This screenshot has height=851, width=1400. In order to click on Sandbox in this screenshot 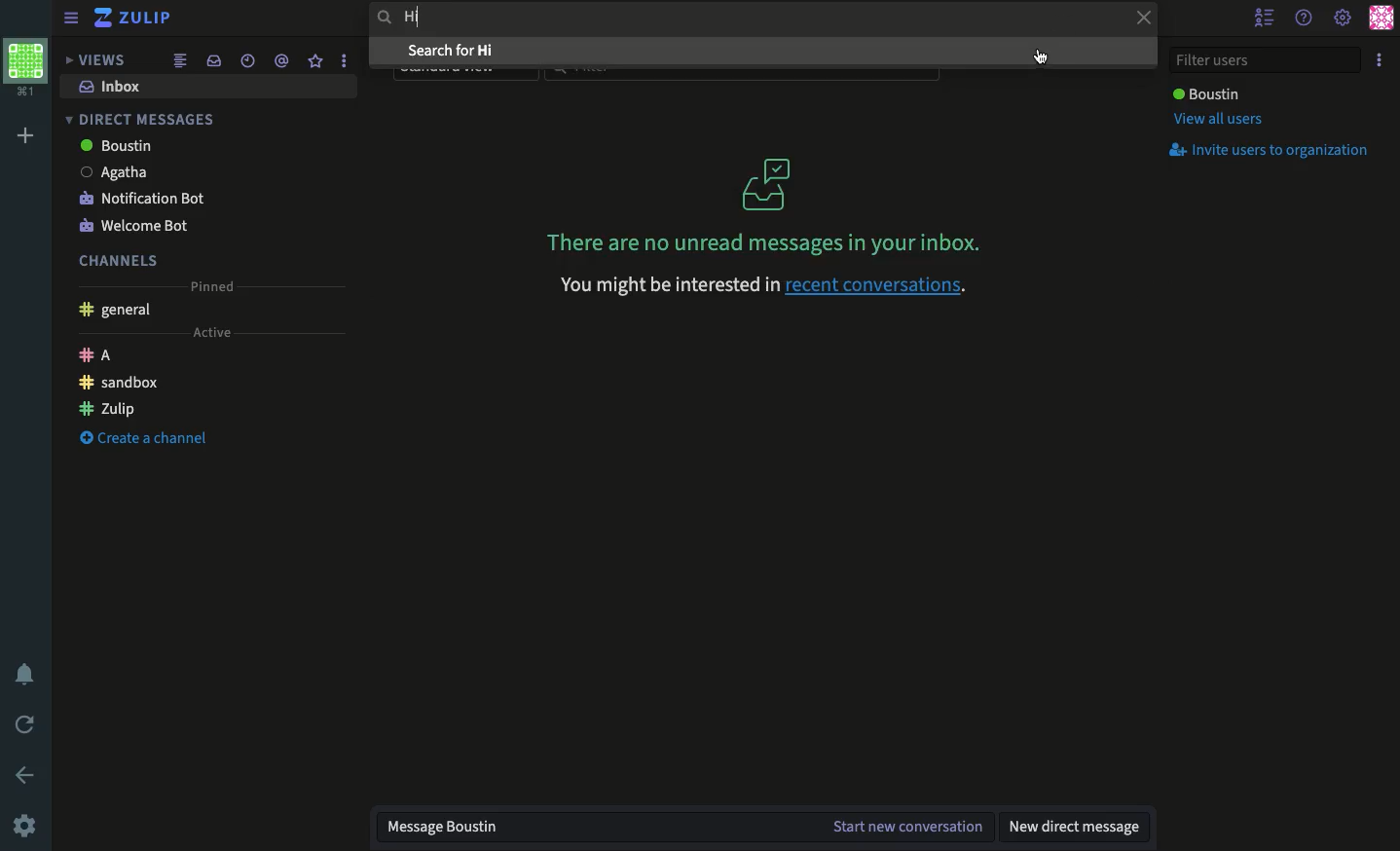, I will do `click(120, 383)`.